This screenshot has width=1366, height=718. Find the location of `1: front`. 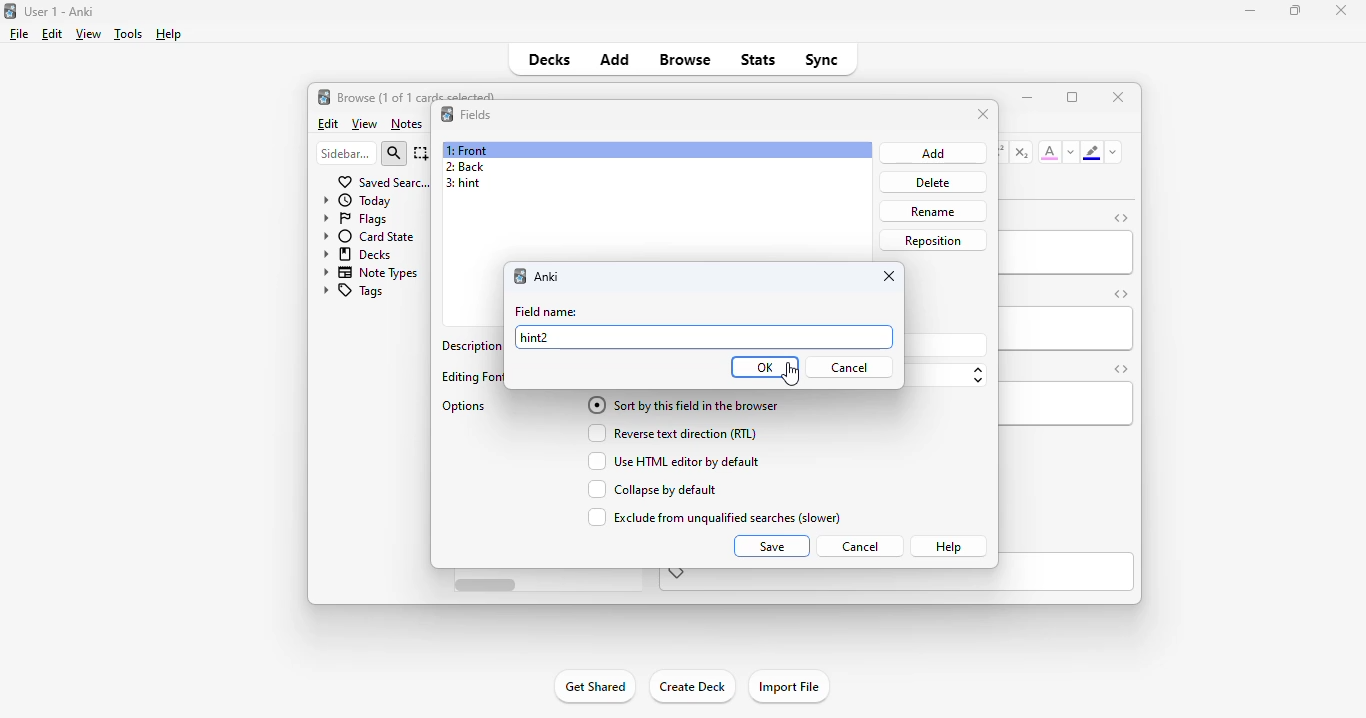

1: front is located at coordinates (469, 150).